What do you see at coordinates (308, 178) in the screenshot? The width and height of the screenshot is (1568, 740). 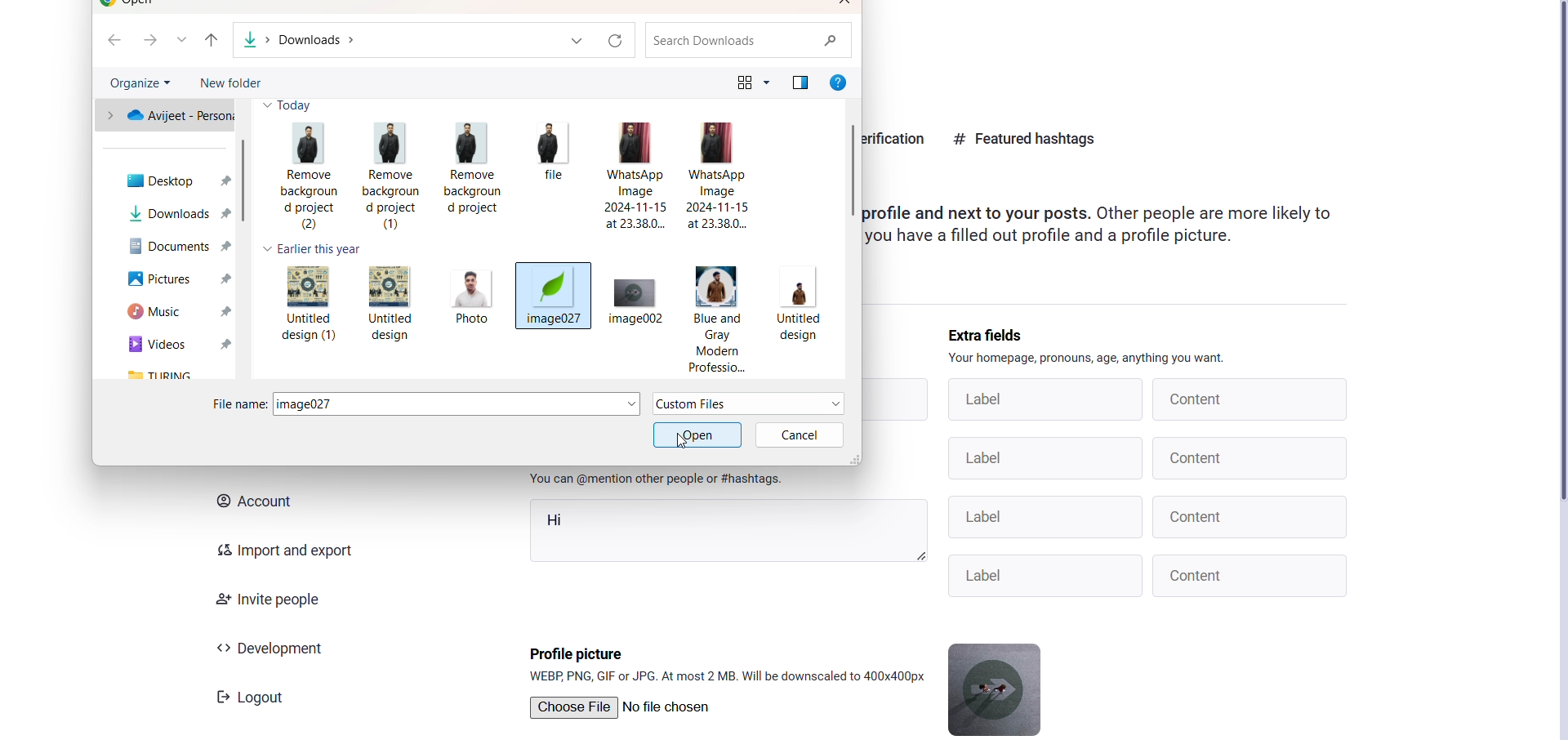 I see `Remove background project (2)` at bounding box center [308, 178].